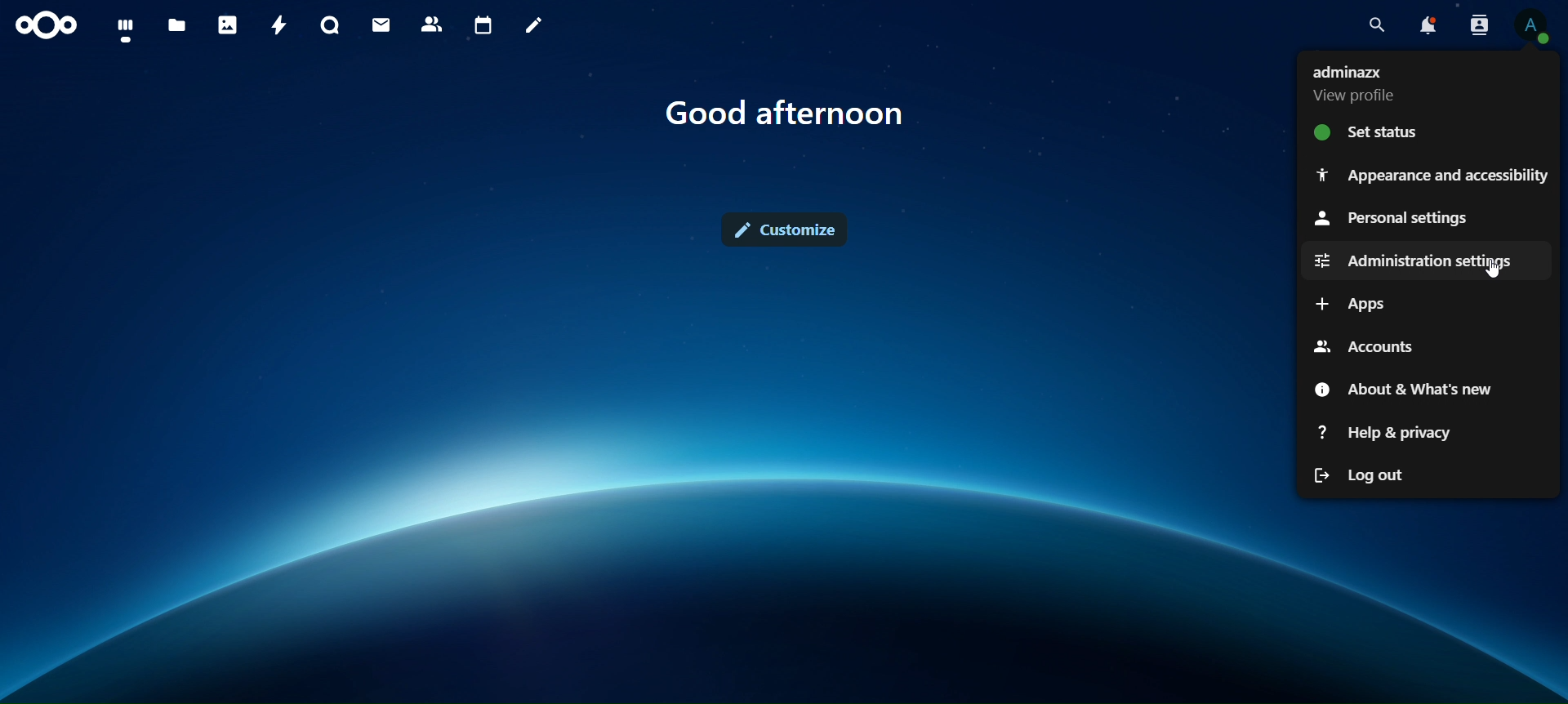 This screenshot has width=1568, height=704. I want to click on about & what's new, so click(1402, 385).